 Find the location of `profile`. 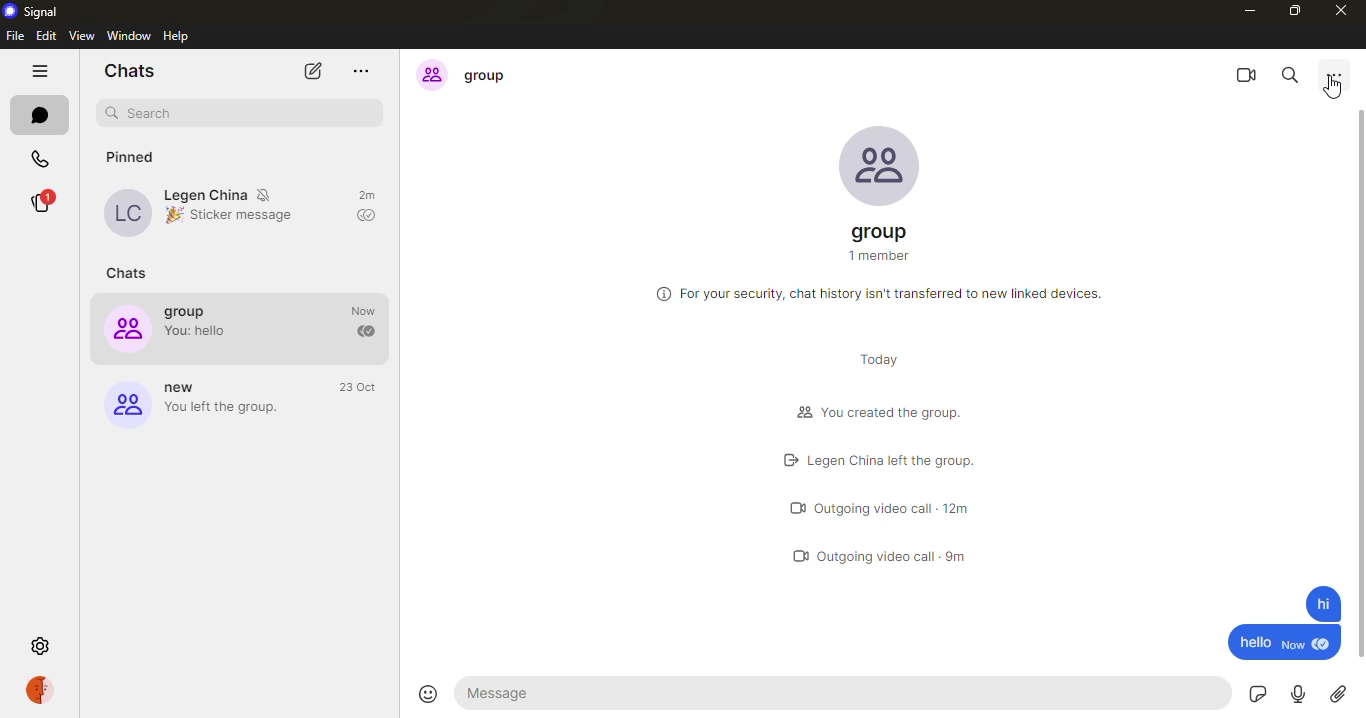

profile is located at coordinates (43, 689).